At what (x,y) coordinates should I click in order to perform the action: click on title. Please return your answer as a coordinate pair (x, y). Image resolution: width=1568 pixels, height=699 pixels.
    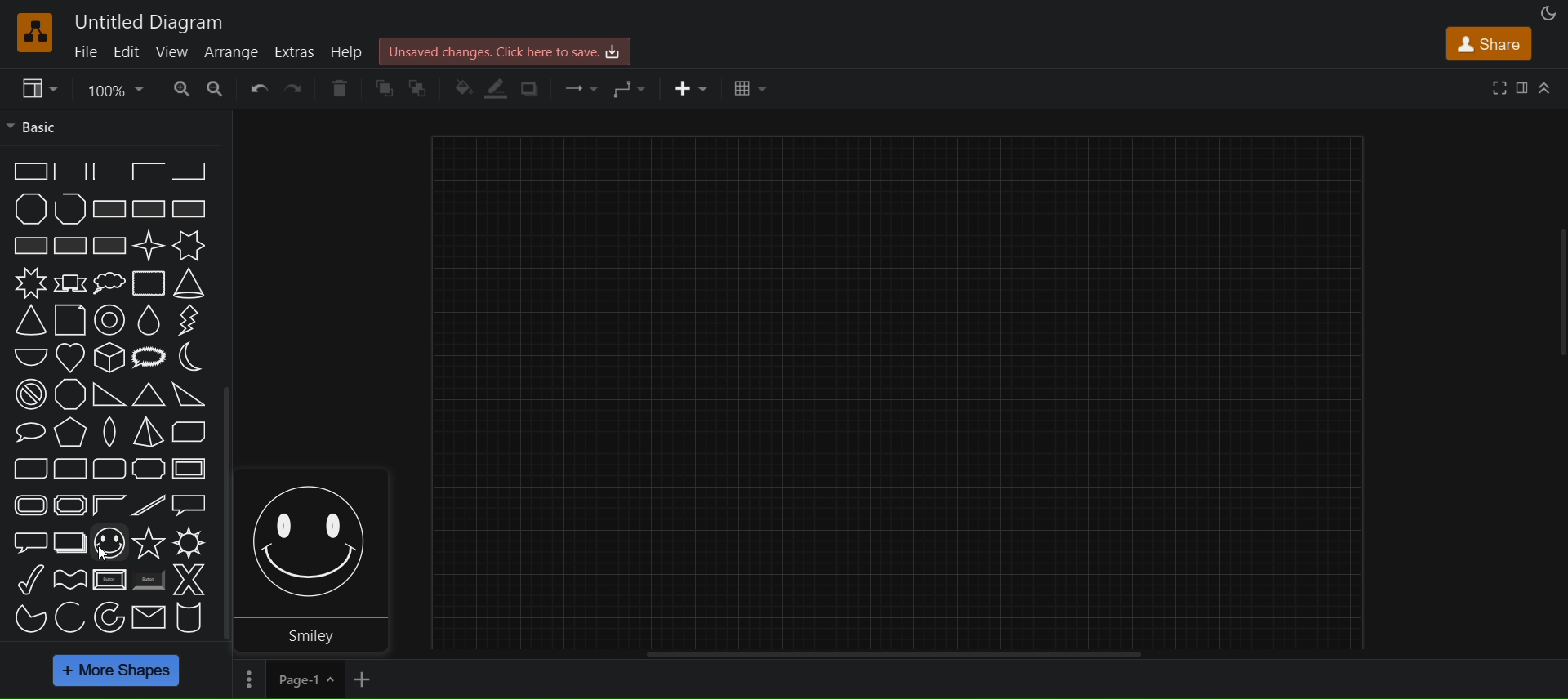
    Looking at the image, I should click on (155, 21).